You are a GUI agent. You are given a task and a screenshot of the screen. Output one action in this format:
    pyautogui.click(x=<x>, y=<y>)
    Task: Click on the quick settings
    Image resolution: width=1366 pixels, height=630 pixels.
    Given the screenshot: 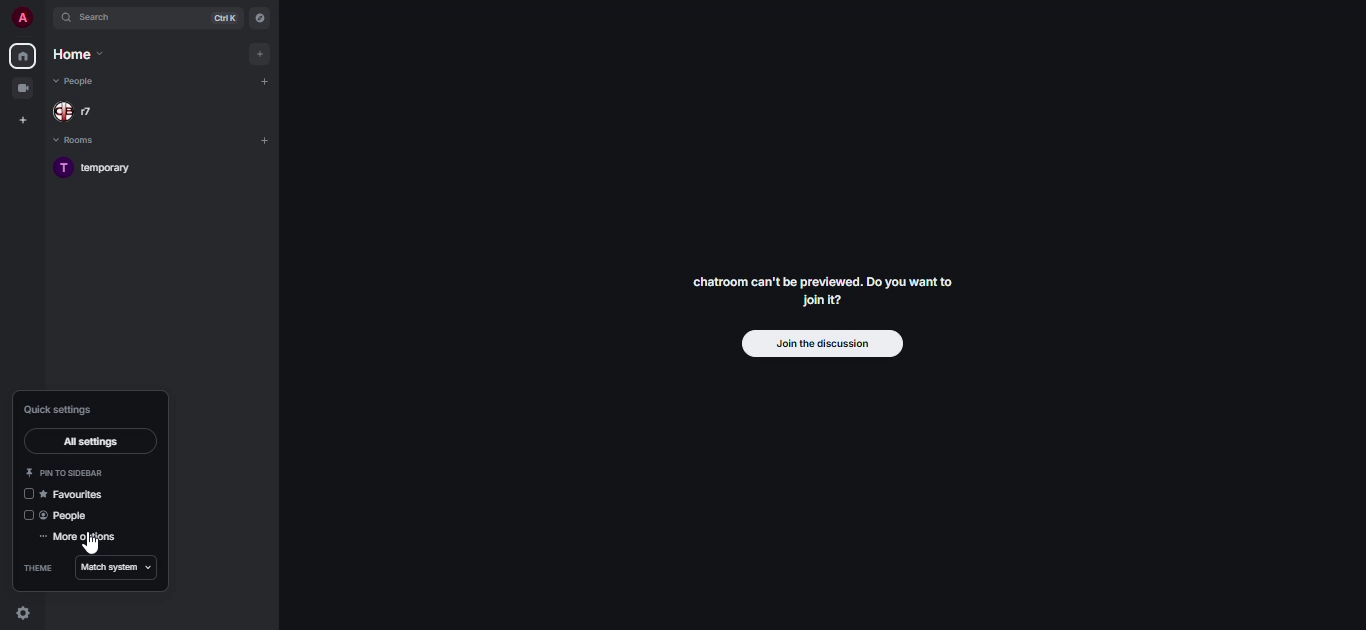 What is the action you would take?
    pyautogui.click(x=24, y=615)
    